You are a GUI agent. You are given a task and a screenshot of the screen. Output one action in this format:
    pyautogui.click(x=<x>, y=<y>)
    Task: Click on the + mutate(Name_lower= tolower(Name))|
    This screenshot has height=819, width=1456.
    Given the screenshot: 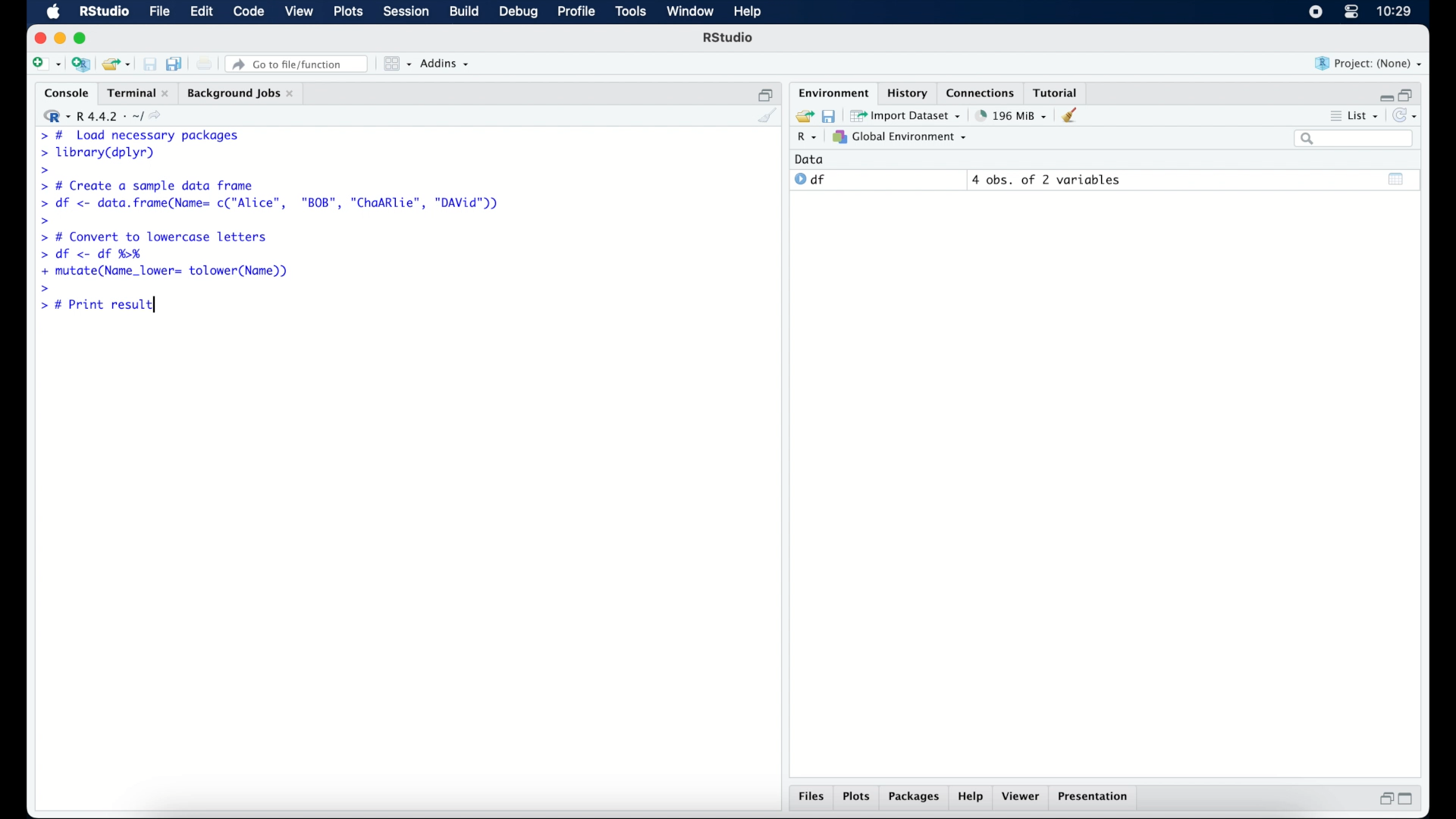 What is the action you would take?
    pyautogui.click(x=168, y=271)
    